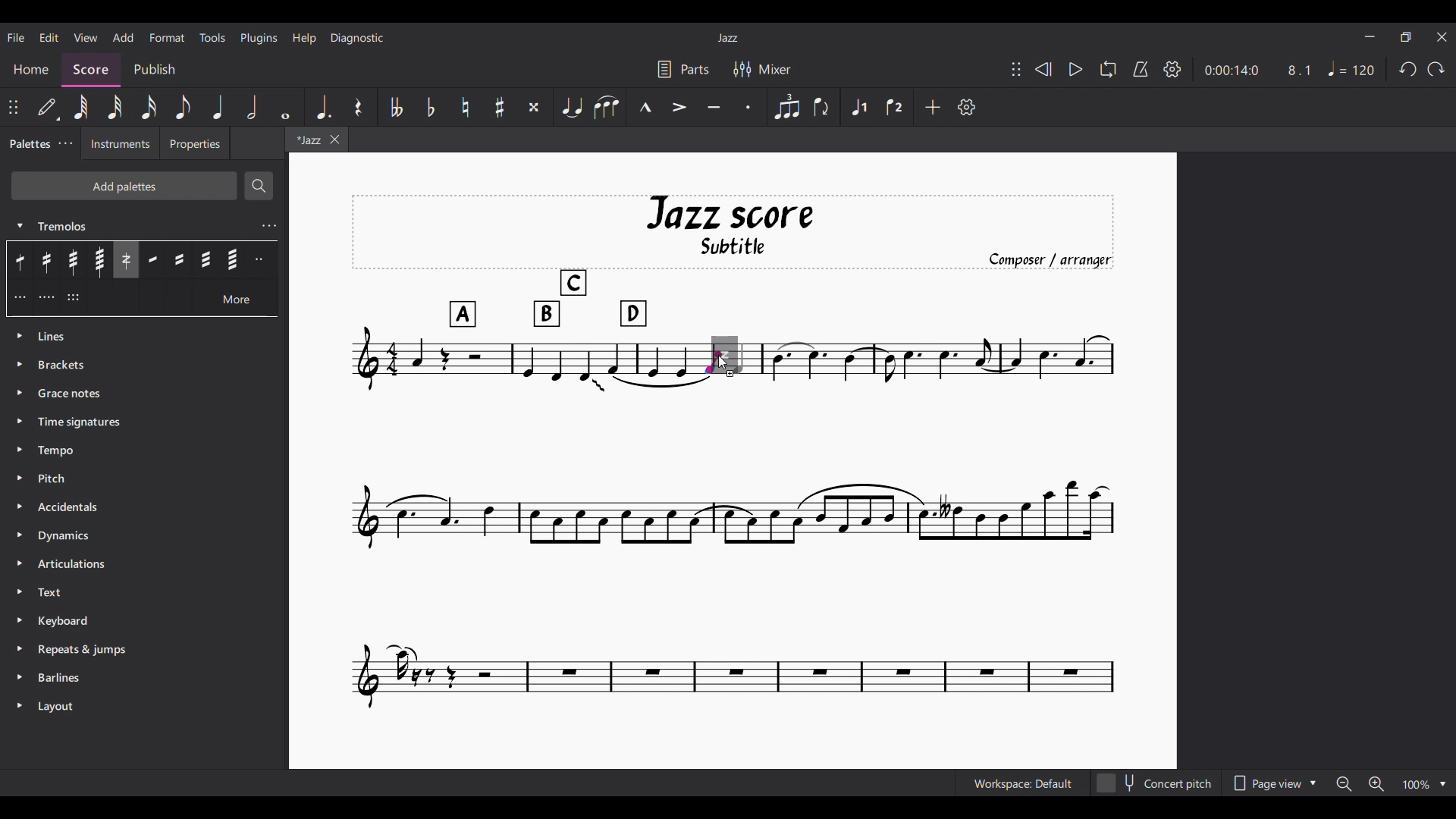 The height and width of the screenshot is (819, 1456). Describe the element at coordinates (824, 108) in the screenshot. I see `Flip direction` at that location.